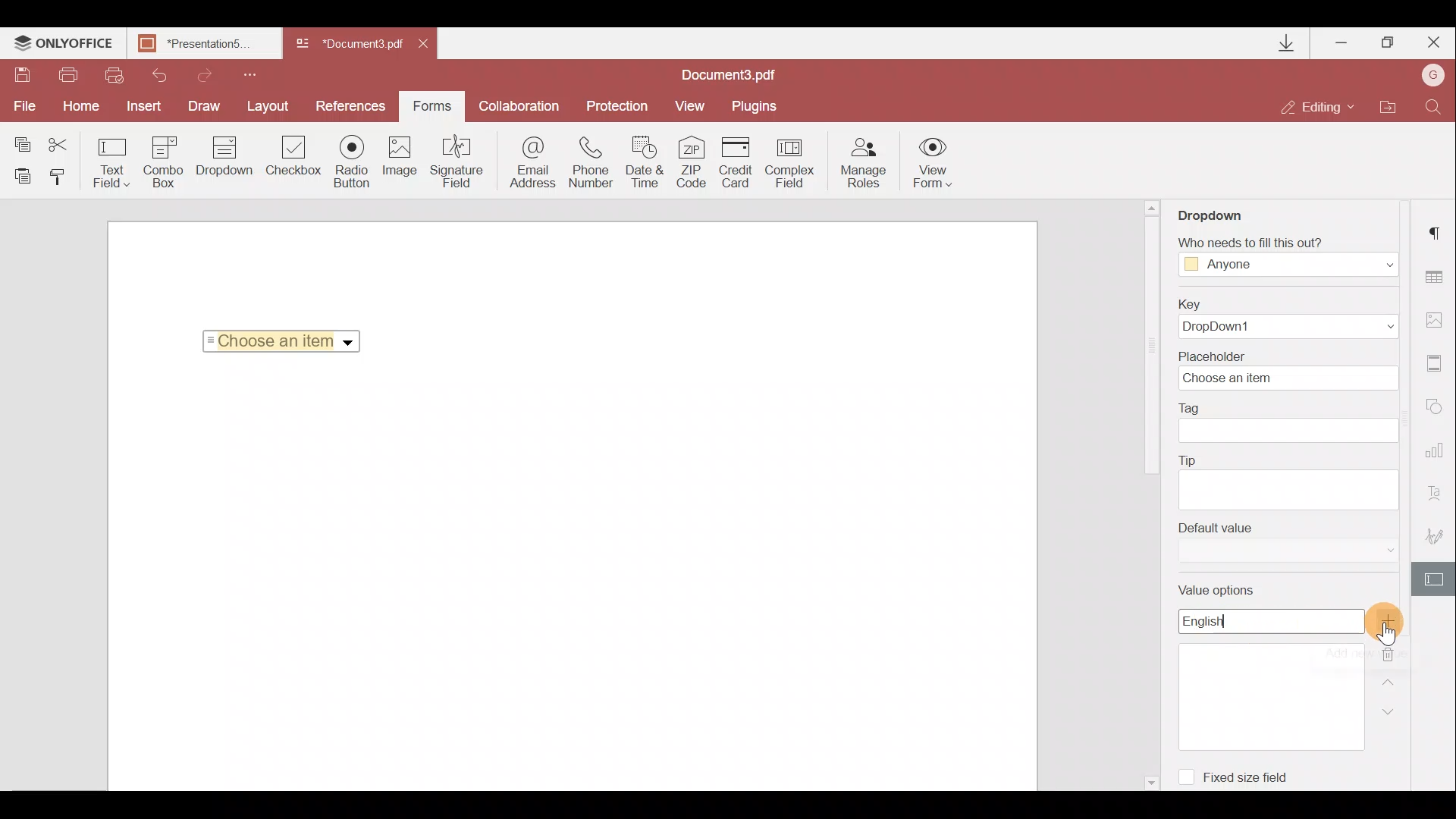 Image resolution: width=1456 pixels, height=819 pixels. I want to click on Placeholder, so click(1293, 369).